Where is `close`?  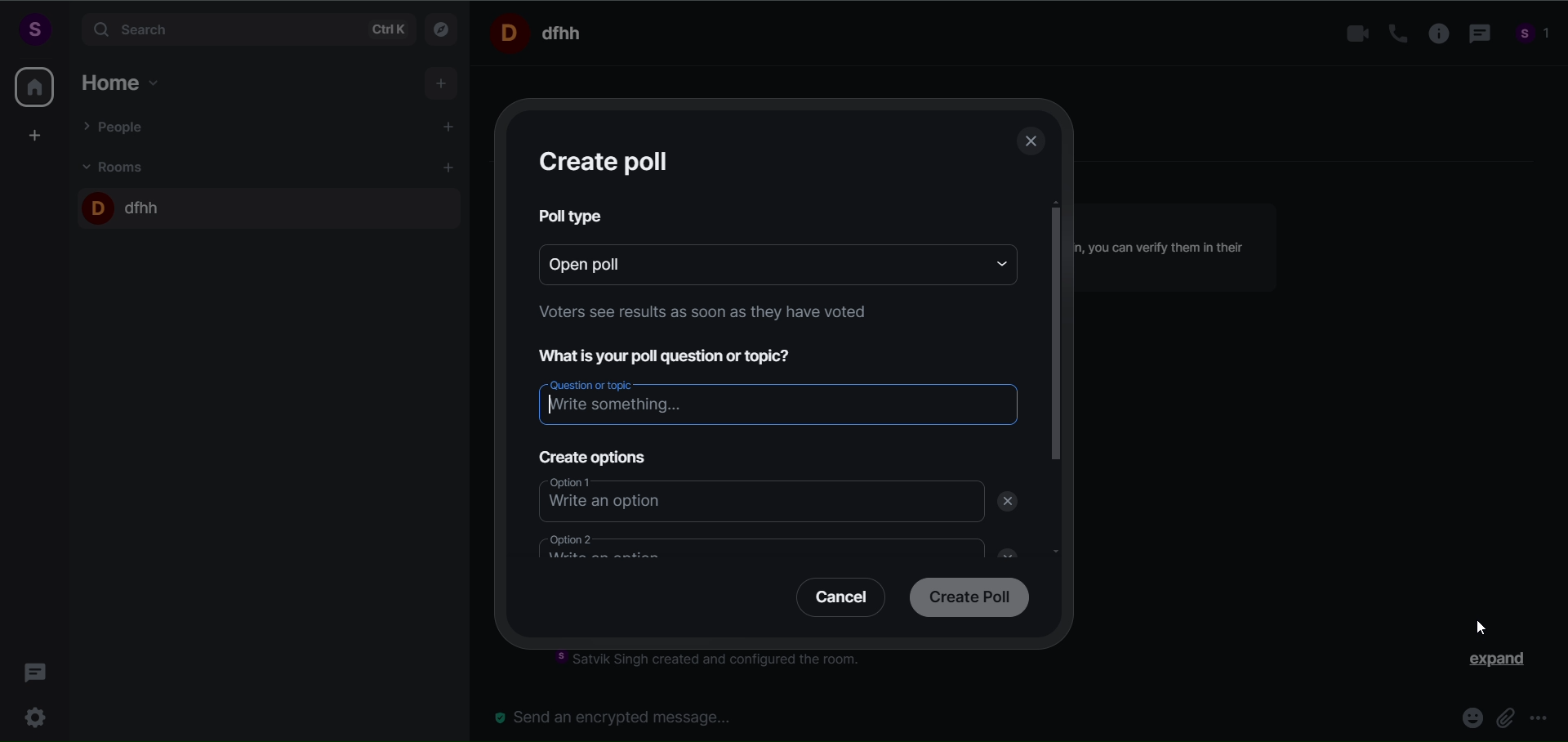 close is located at coordinates (1002, 551).